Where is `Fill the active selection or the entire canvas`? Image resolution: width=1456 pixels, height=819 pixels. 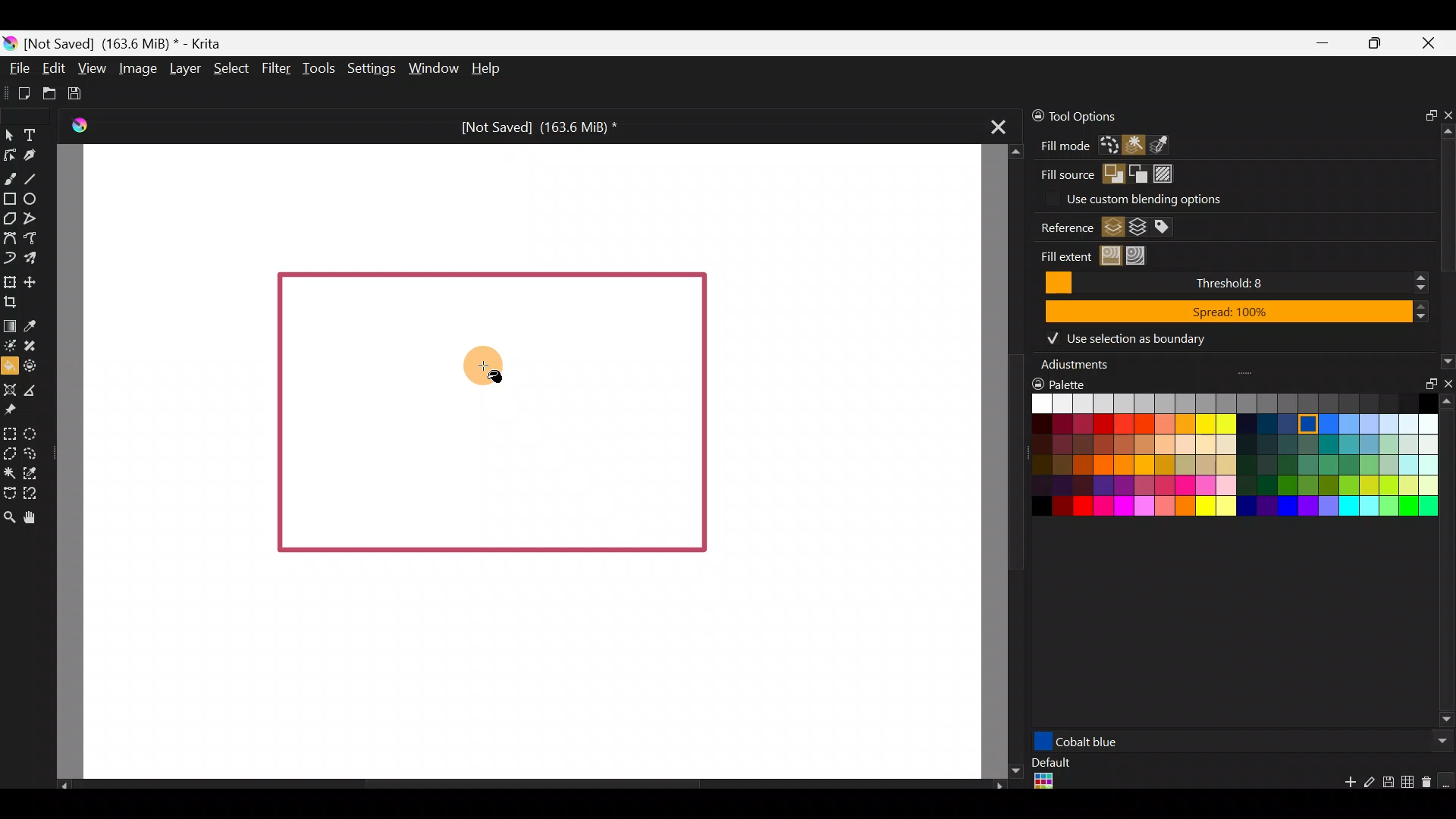
Fill the active selection or the entire canvas is located at coordinates (1109, 145).